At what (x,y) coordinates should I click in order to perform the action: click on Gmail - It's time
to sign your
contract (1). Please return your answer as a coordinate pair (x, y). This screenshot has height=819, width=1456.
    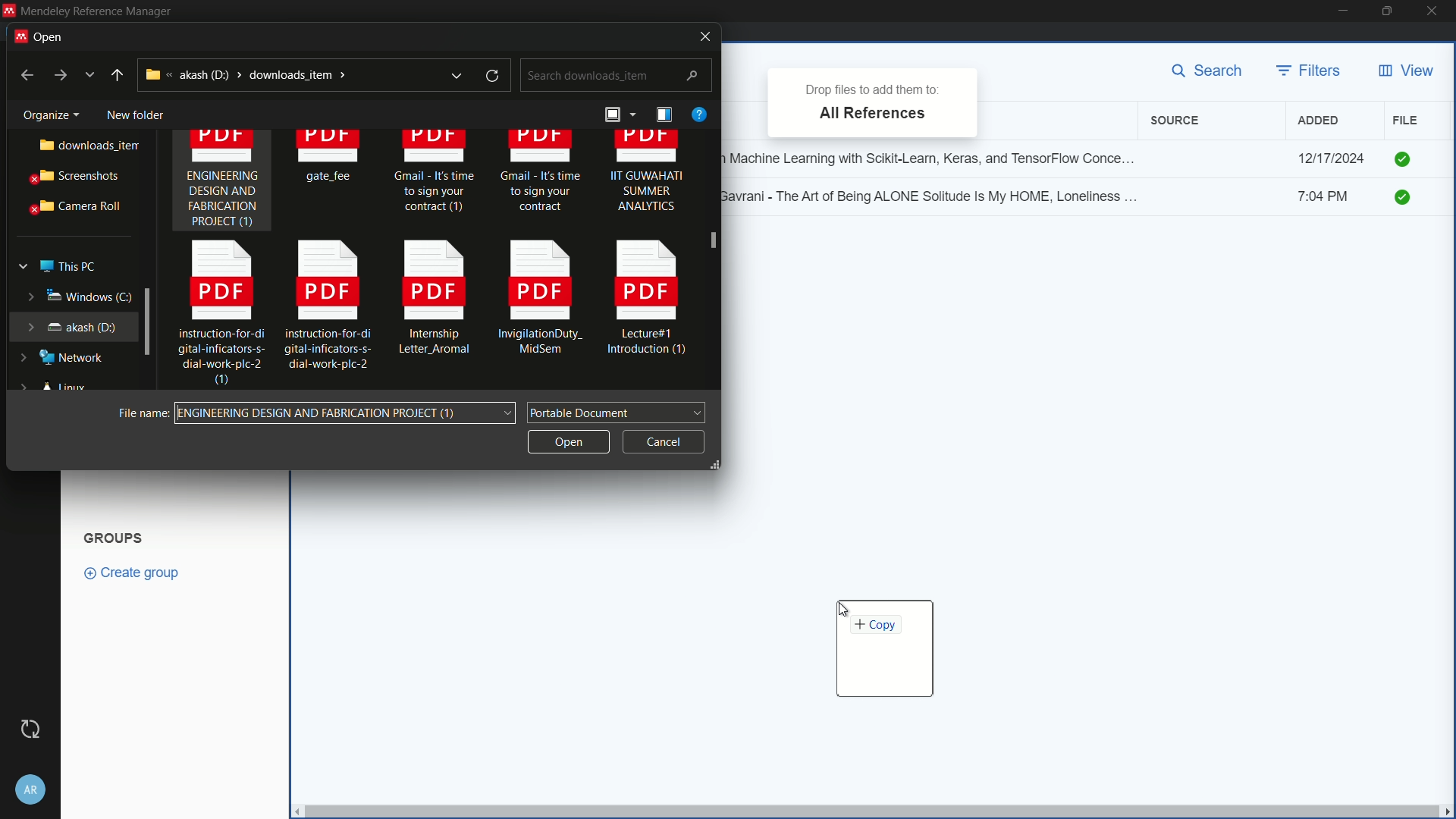
    Looking at the image, I should click on (434, 178).